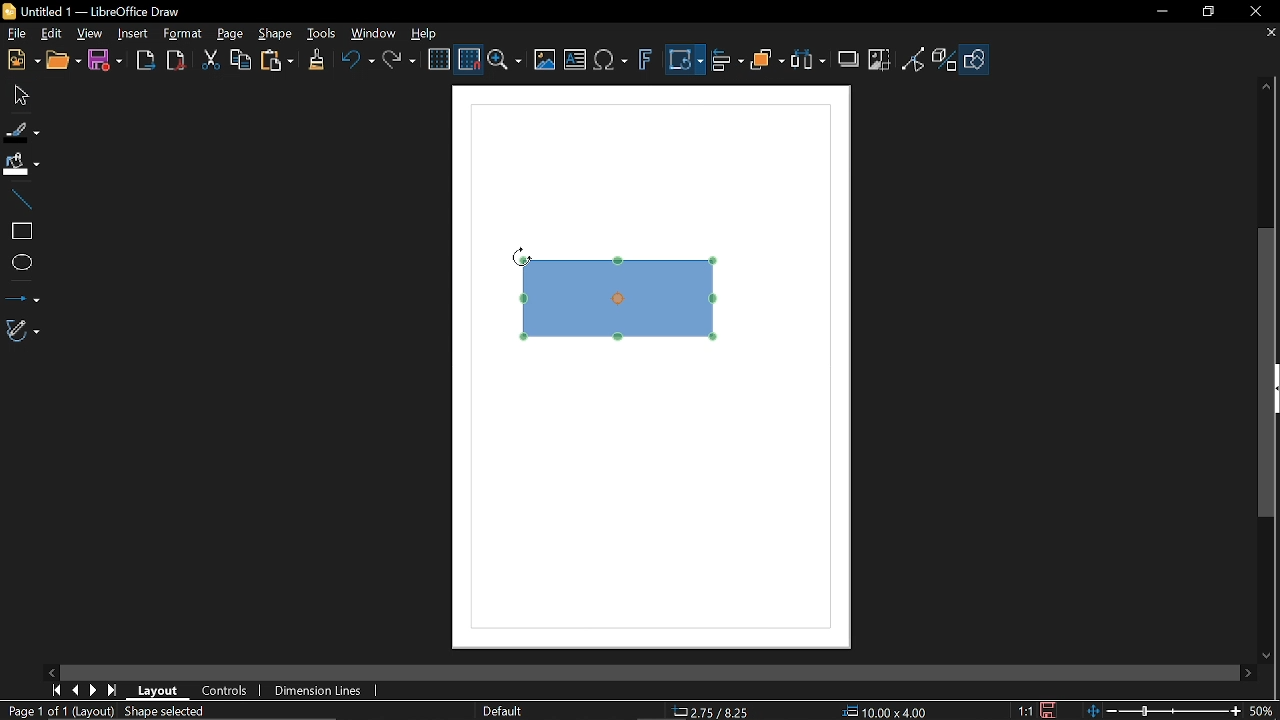 This screenshot has width=1280, height=720. What do you see at coordinates (175, 61) in the screenshot?
I see `Export as pdf` at bounding box center [175, 61].